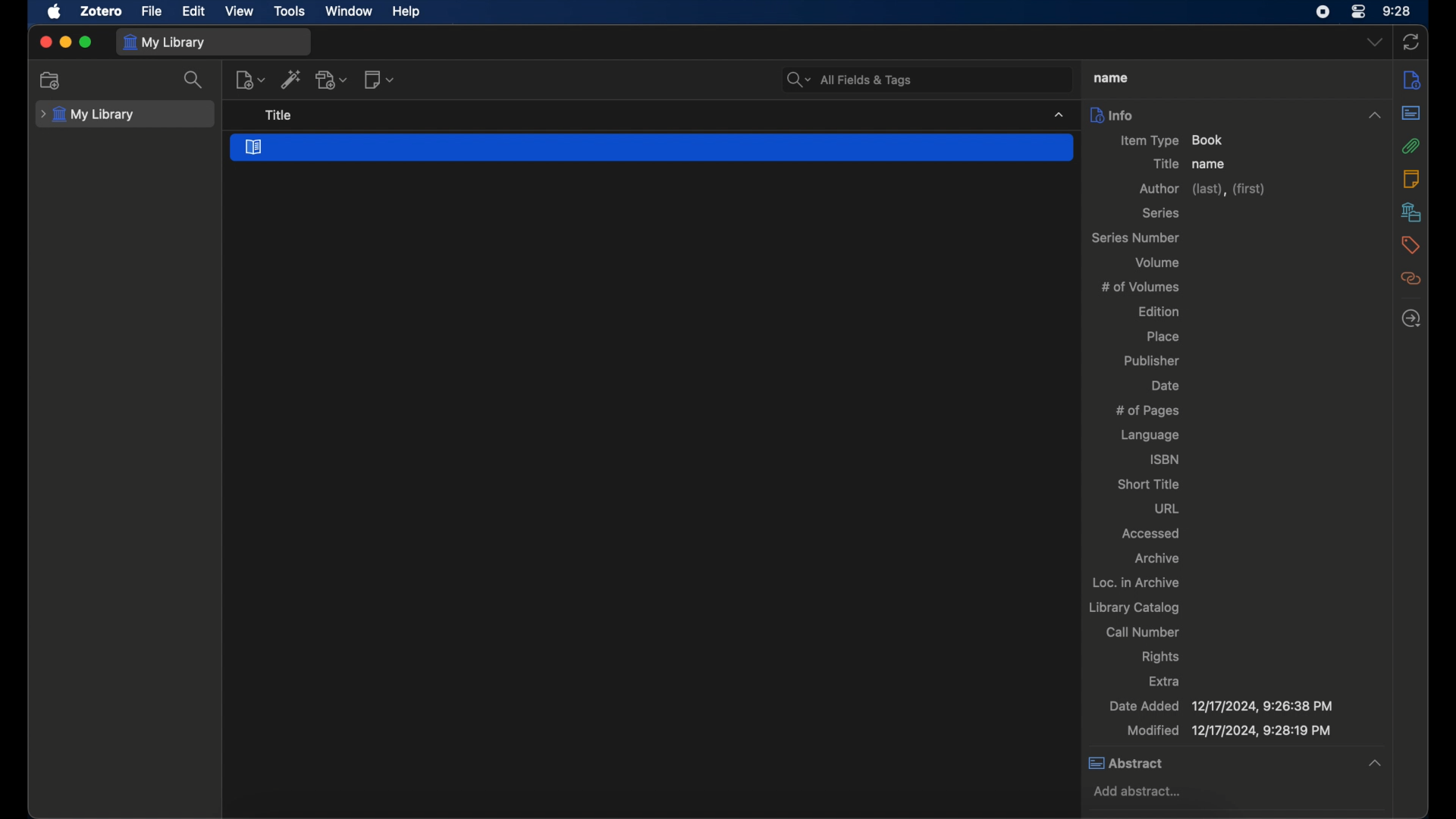  Describe the element at coordinates (1166, 460) in the screenshot. I see `isbn` at that location.